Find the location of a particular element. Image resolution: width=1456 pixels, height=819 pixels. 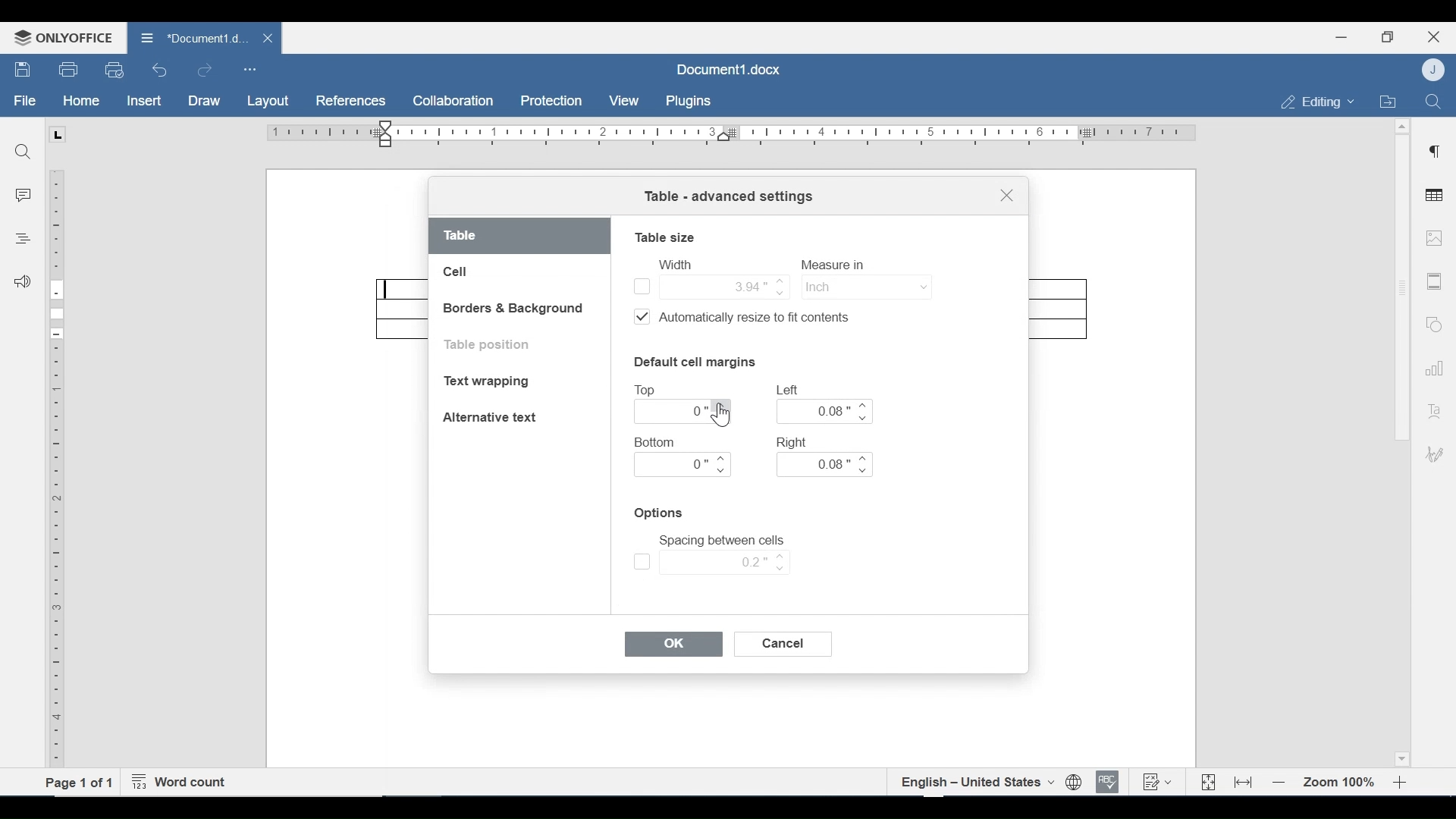

Cell is located at coordinates (457, 272).